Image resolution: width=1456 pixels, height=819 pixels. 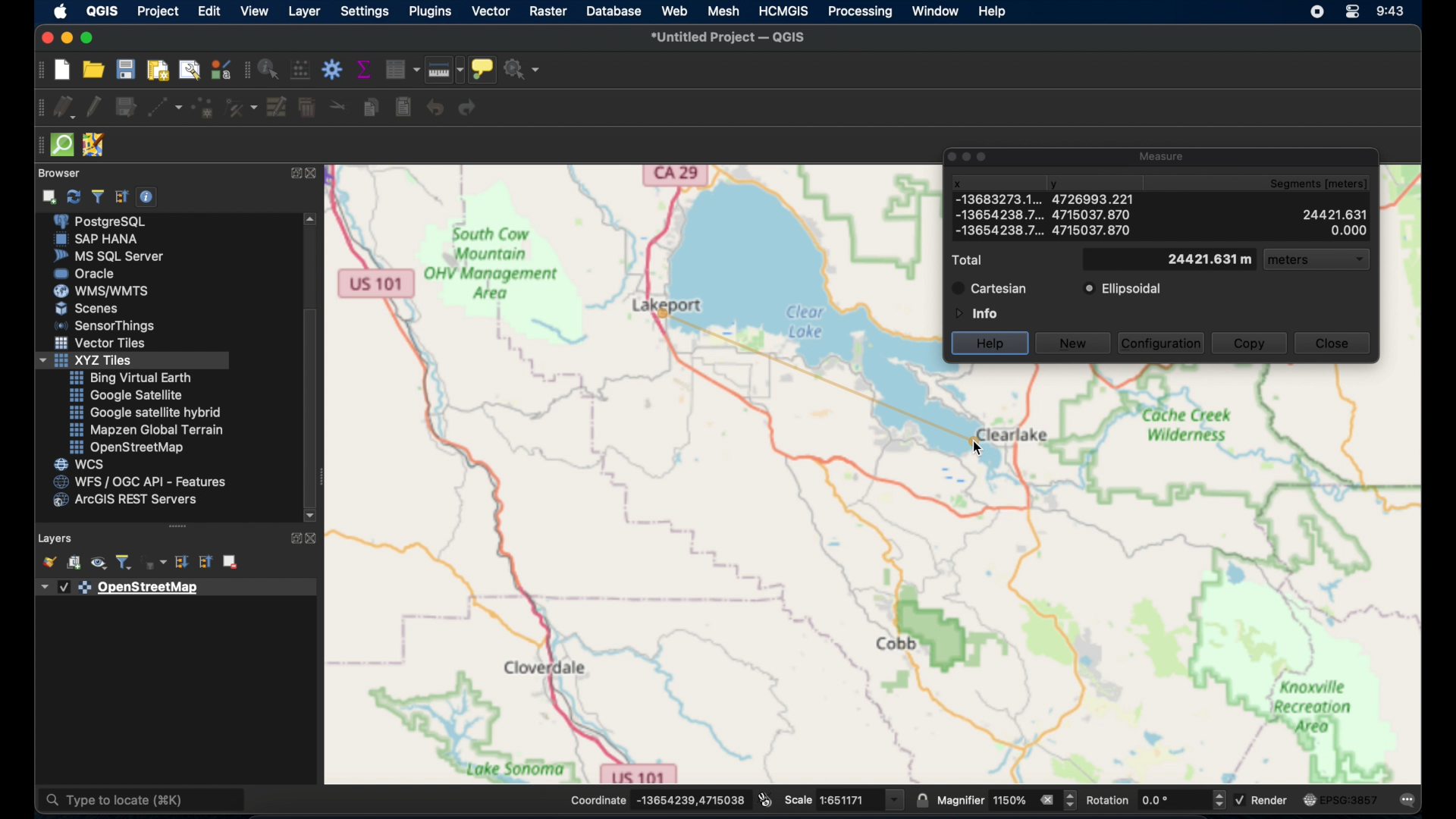 I want to click on openstreetmap layer, so click(x=121, y=588).